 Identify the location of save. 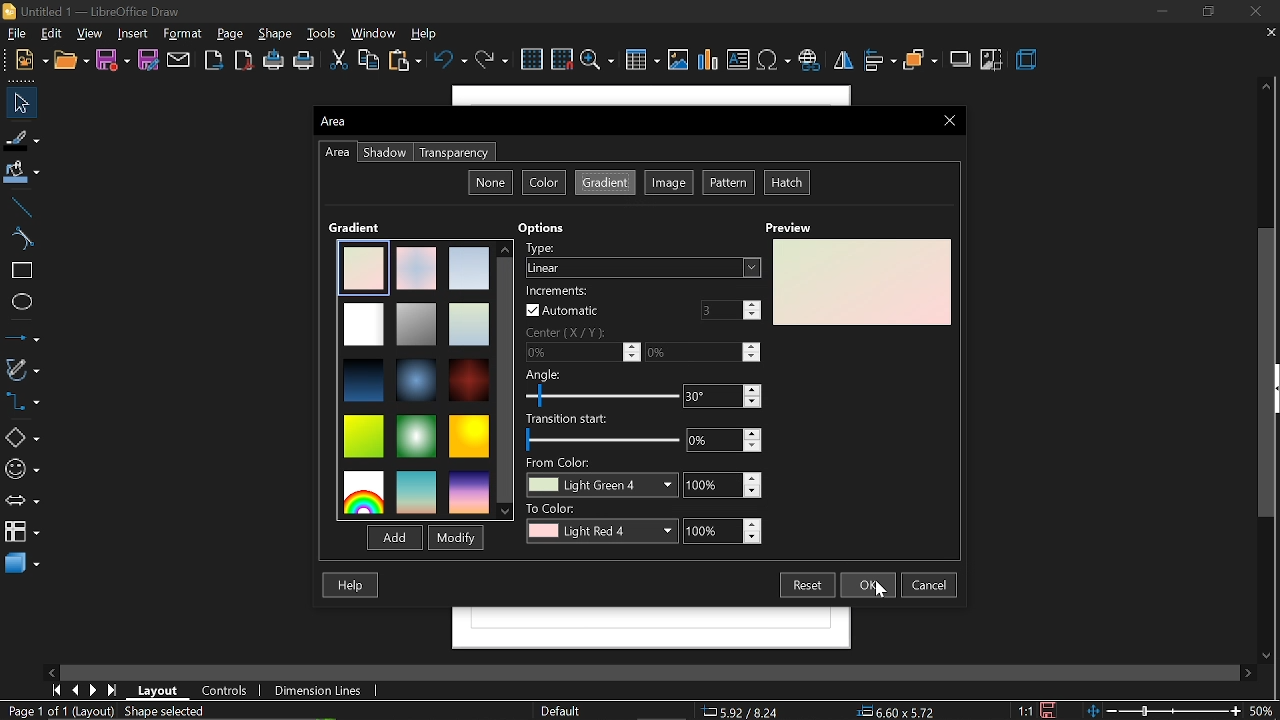
(1046, 710).